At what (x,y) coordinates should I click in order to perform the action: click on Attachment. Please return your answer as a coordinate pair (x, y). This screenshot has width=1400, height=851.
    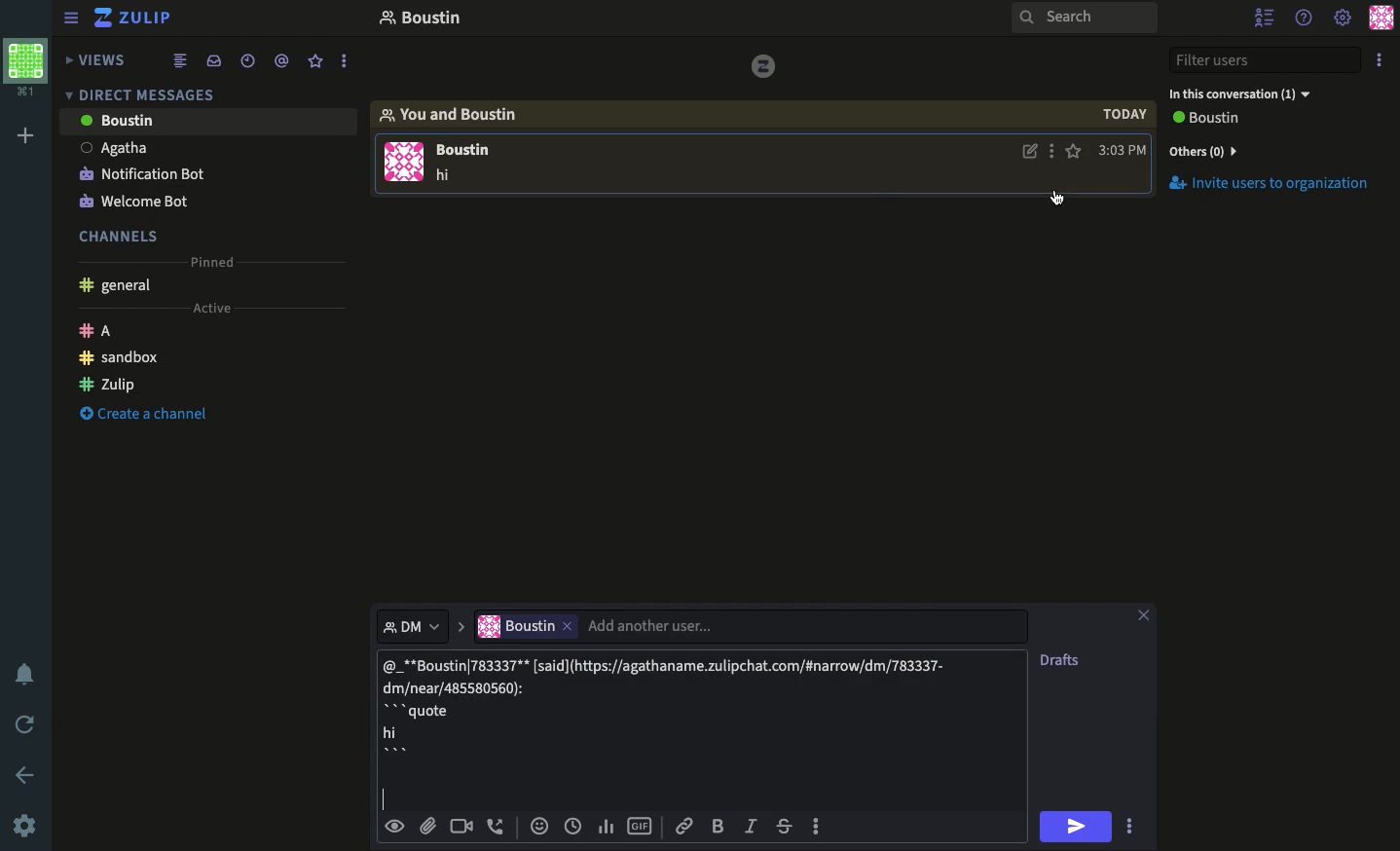
    Looking at the image, I should click on (427, 827).